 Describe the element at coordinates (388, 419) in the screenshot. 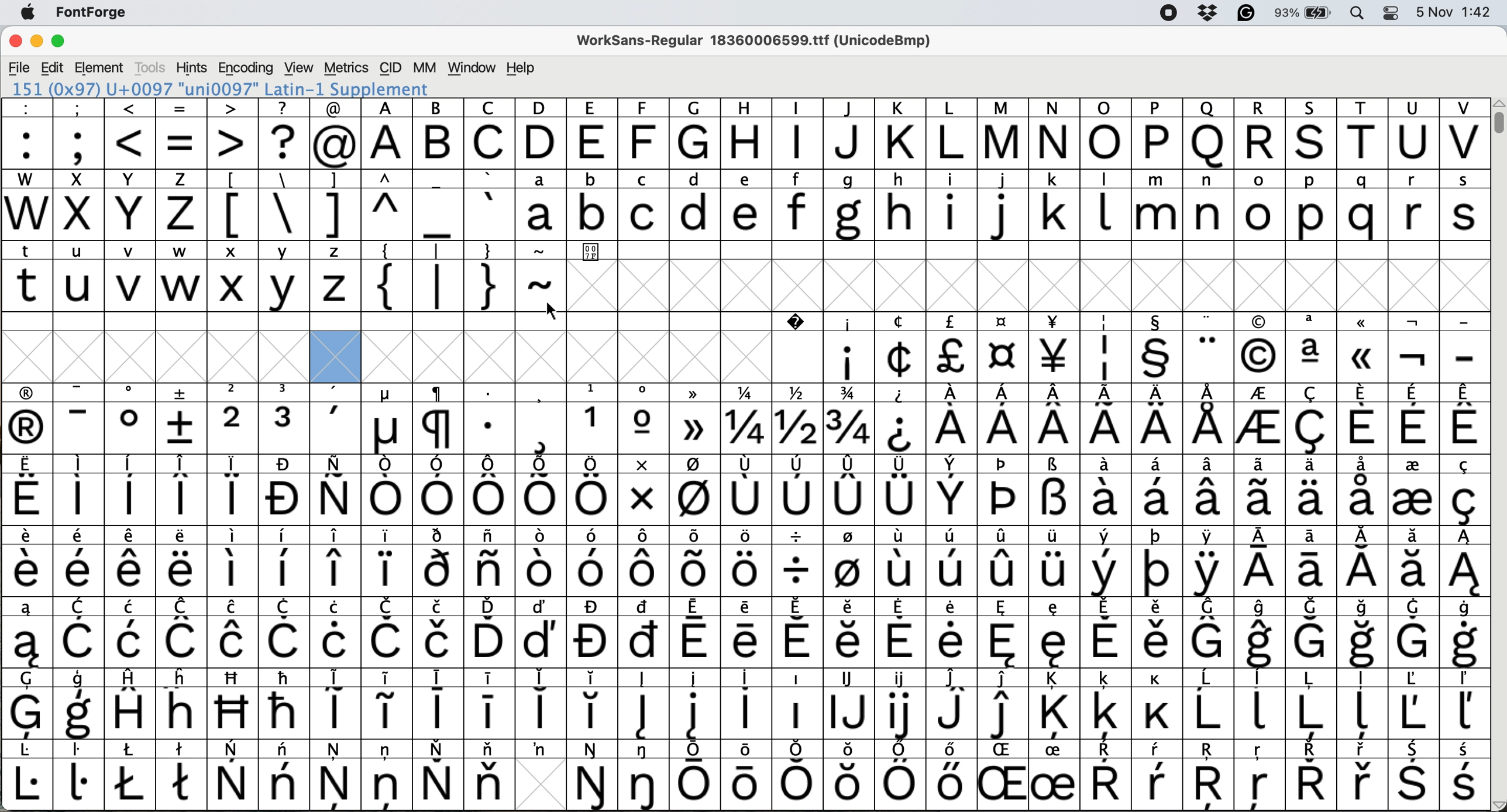

I see `symbol` at that location.